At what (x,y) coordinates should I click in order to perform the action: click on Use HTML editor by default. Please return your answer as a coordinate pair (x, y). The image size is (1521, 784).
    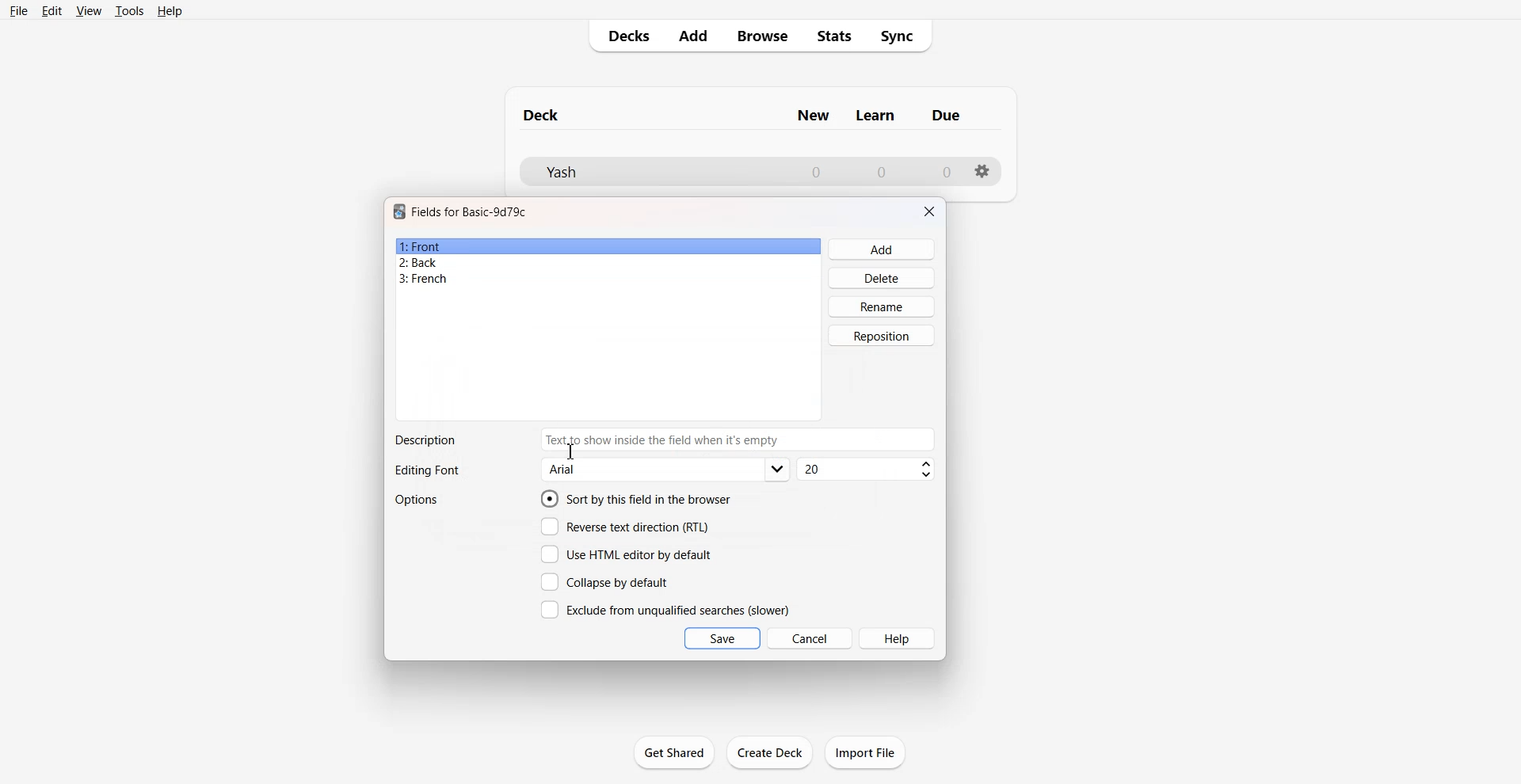
    Looking at the image, I should click on (626, 554).